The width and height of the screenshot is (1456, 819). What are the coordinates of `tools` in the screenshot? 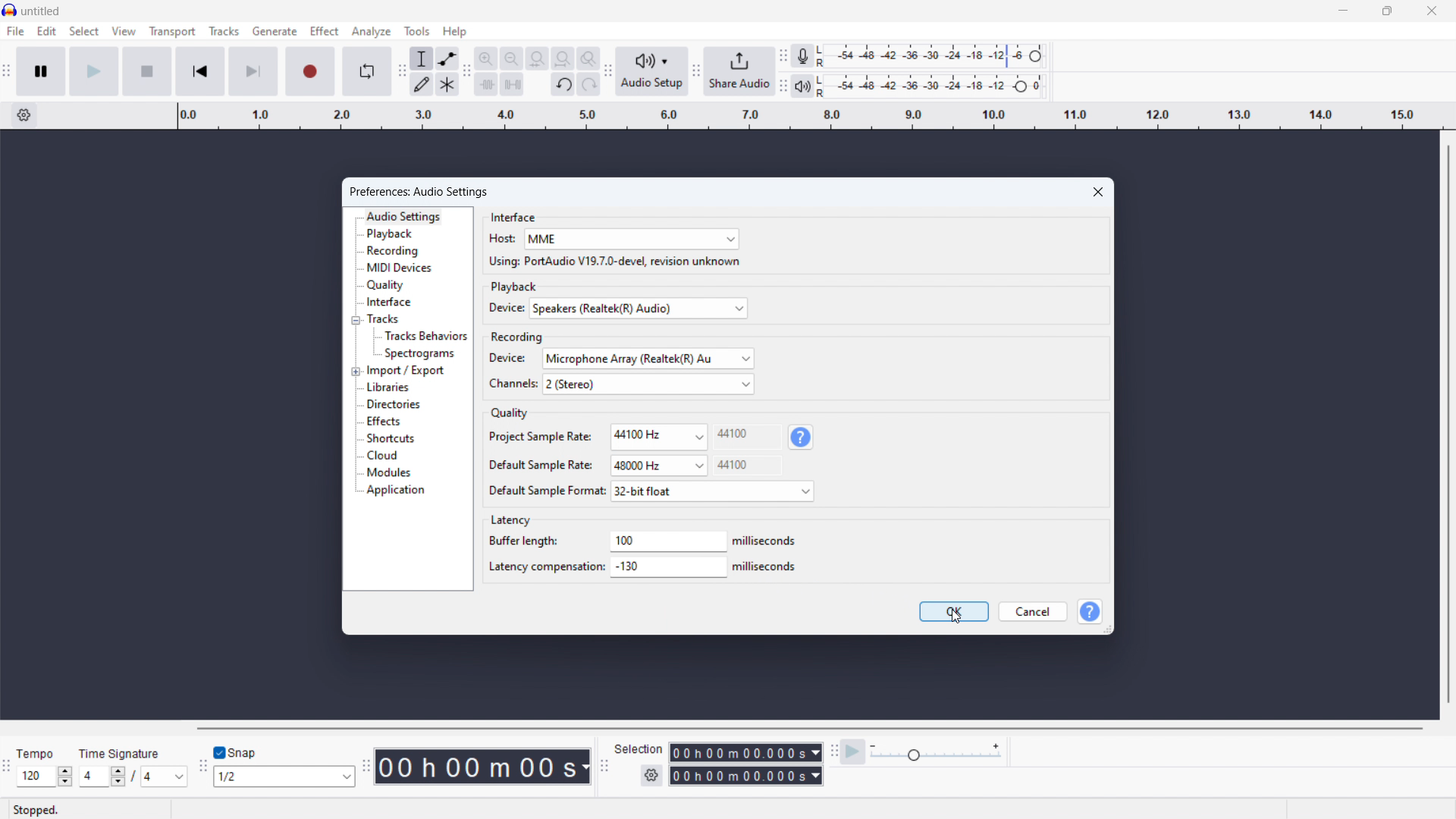 It's located at (417, 31).